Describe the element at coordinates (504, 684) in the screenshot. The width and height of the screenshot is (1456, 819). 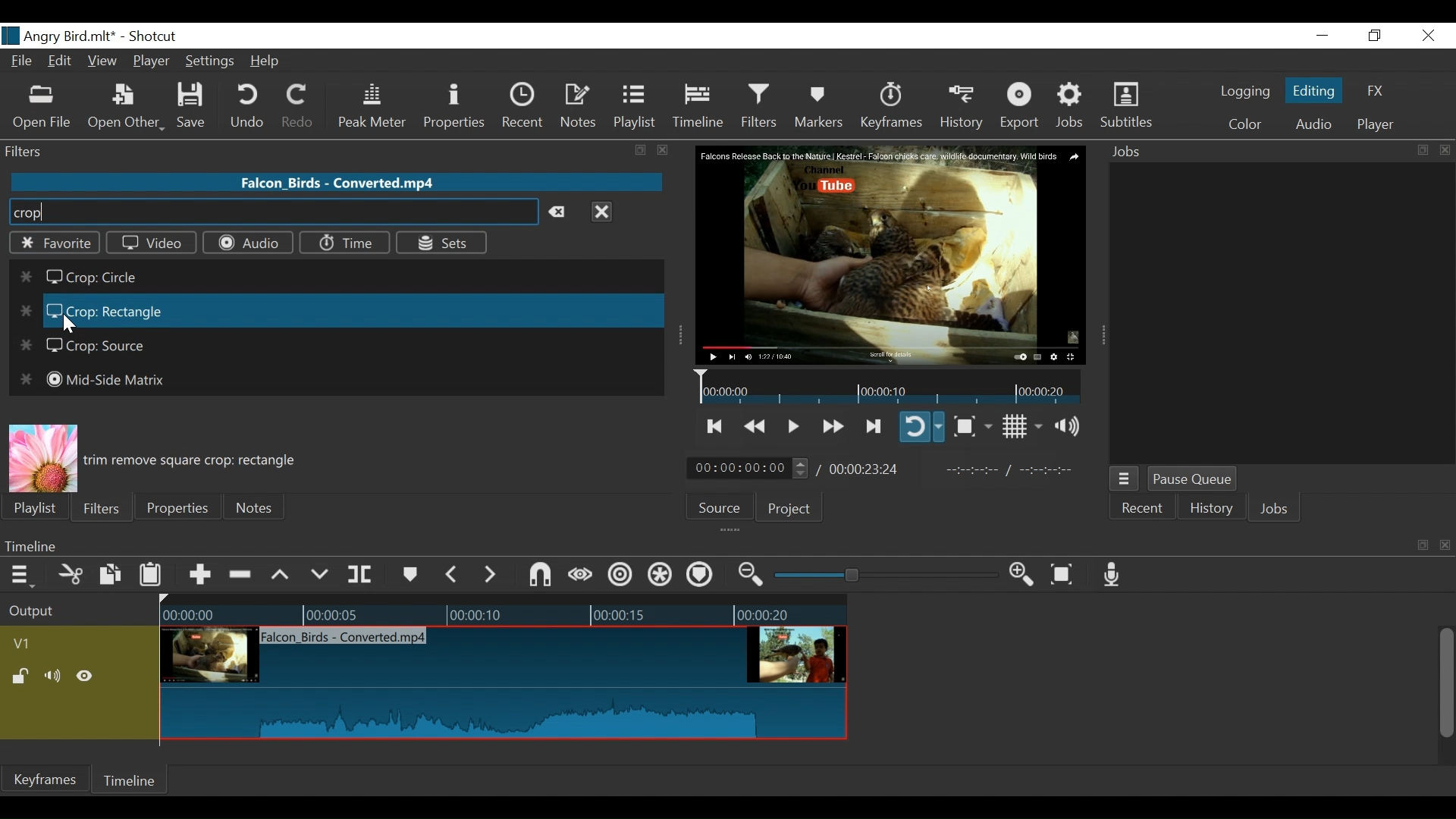
I see `Video track clip` at that location.